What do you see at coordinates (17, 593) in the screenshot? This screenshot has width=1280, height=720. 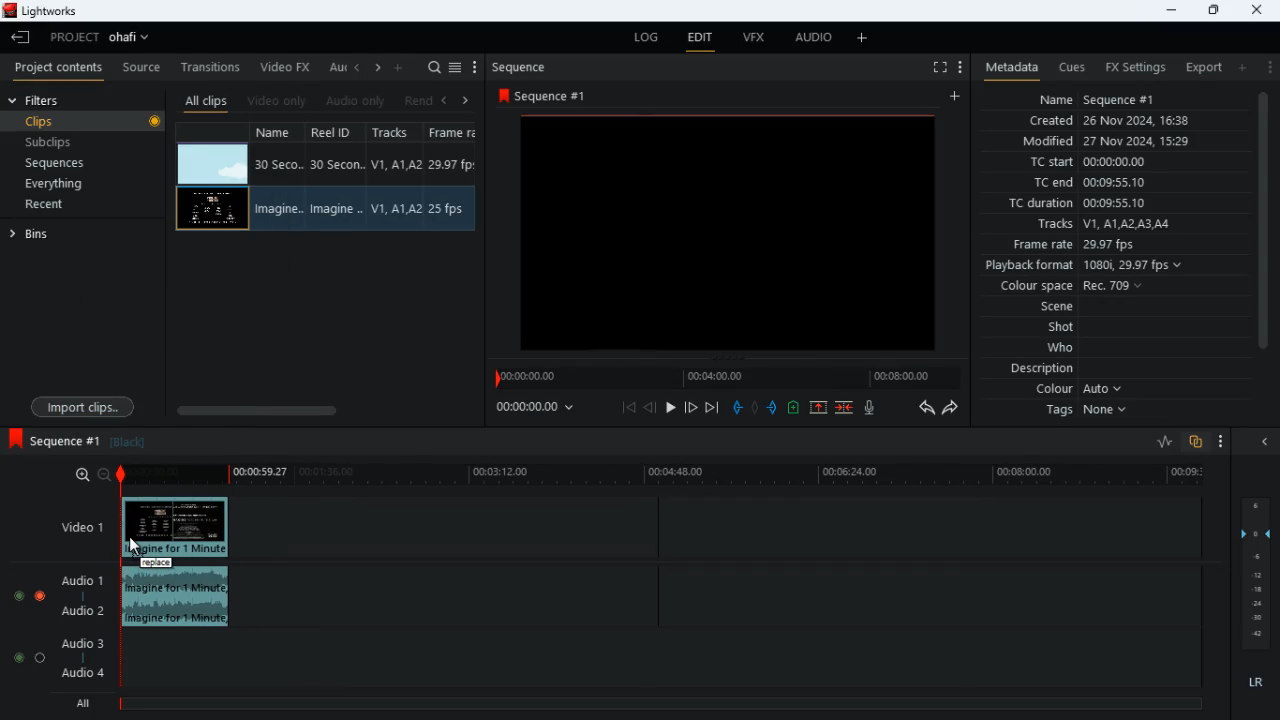 I see `toggle` at bounding box center [17, 593].